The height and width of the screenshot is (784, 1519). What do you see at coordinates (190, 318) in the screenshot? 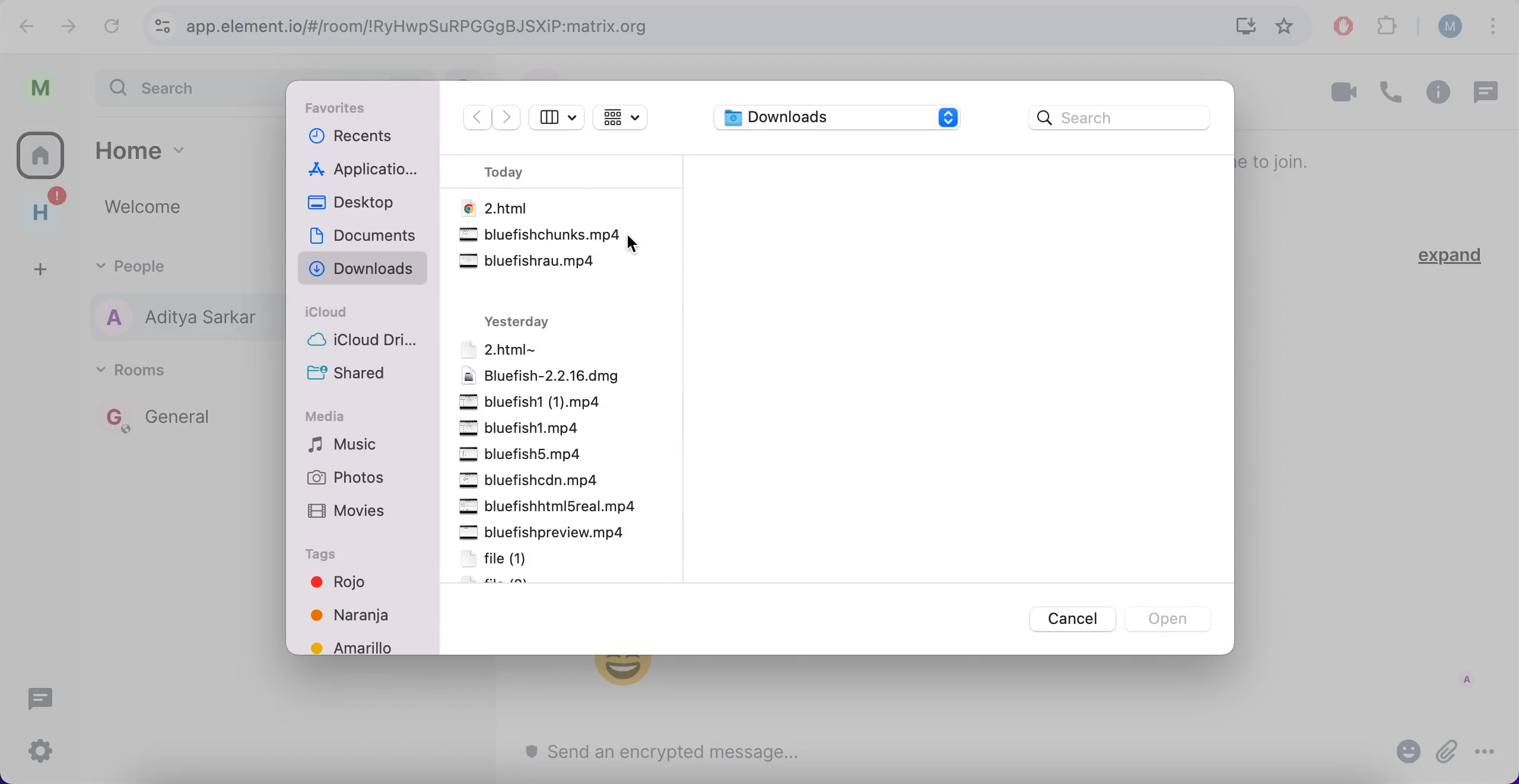
I see `people` at bounding box center [190, 318].